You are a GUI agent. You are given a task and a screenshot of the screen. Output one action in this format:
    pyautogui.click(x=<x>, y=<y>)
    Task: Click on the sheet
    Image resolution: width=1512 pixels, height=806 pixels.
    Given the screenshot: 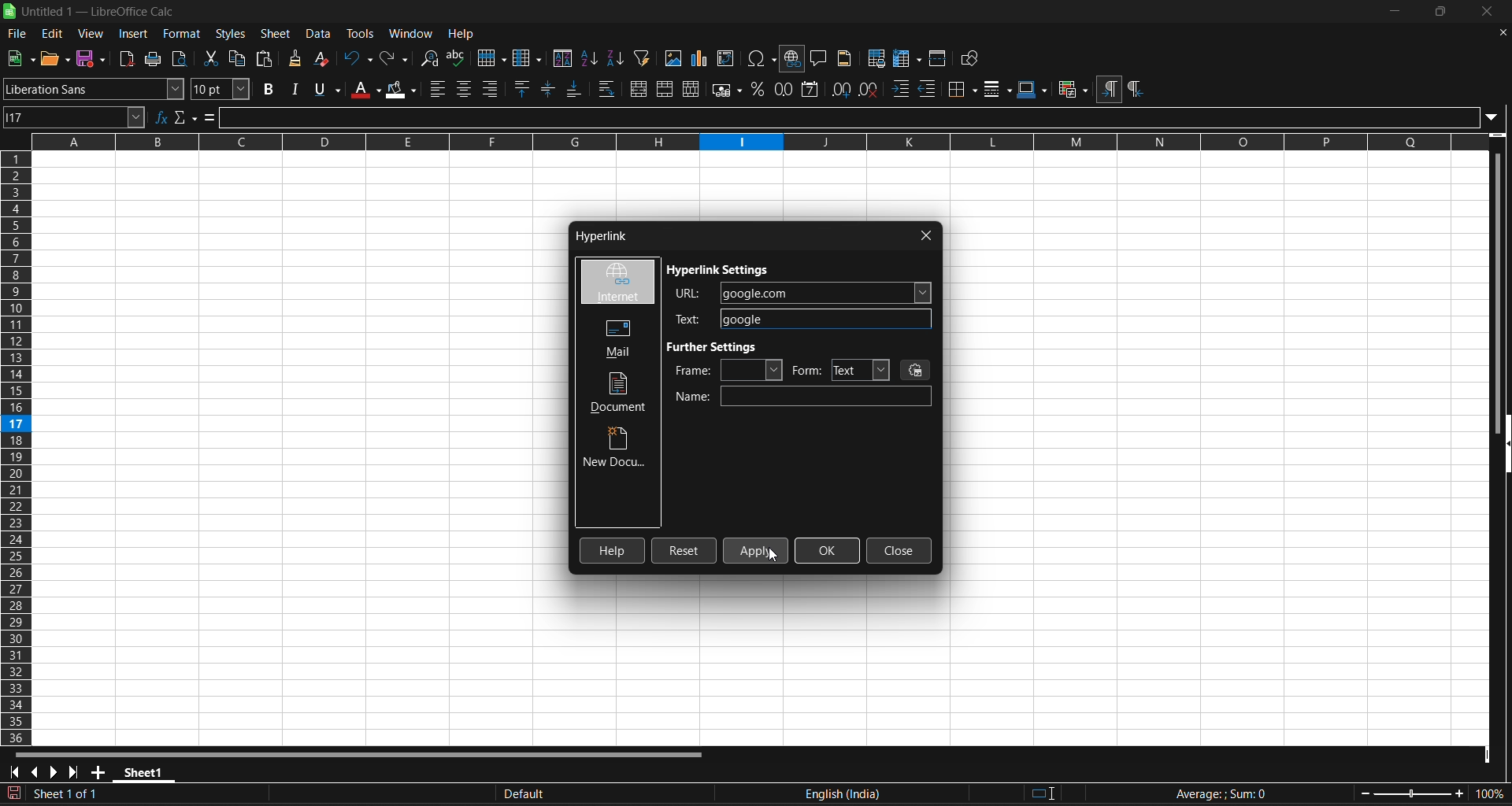 What is the action you would take?
    pyautogui.click(x=276, y=34)
    